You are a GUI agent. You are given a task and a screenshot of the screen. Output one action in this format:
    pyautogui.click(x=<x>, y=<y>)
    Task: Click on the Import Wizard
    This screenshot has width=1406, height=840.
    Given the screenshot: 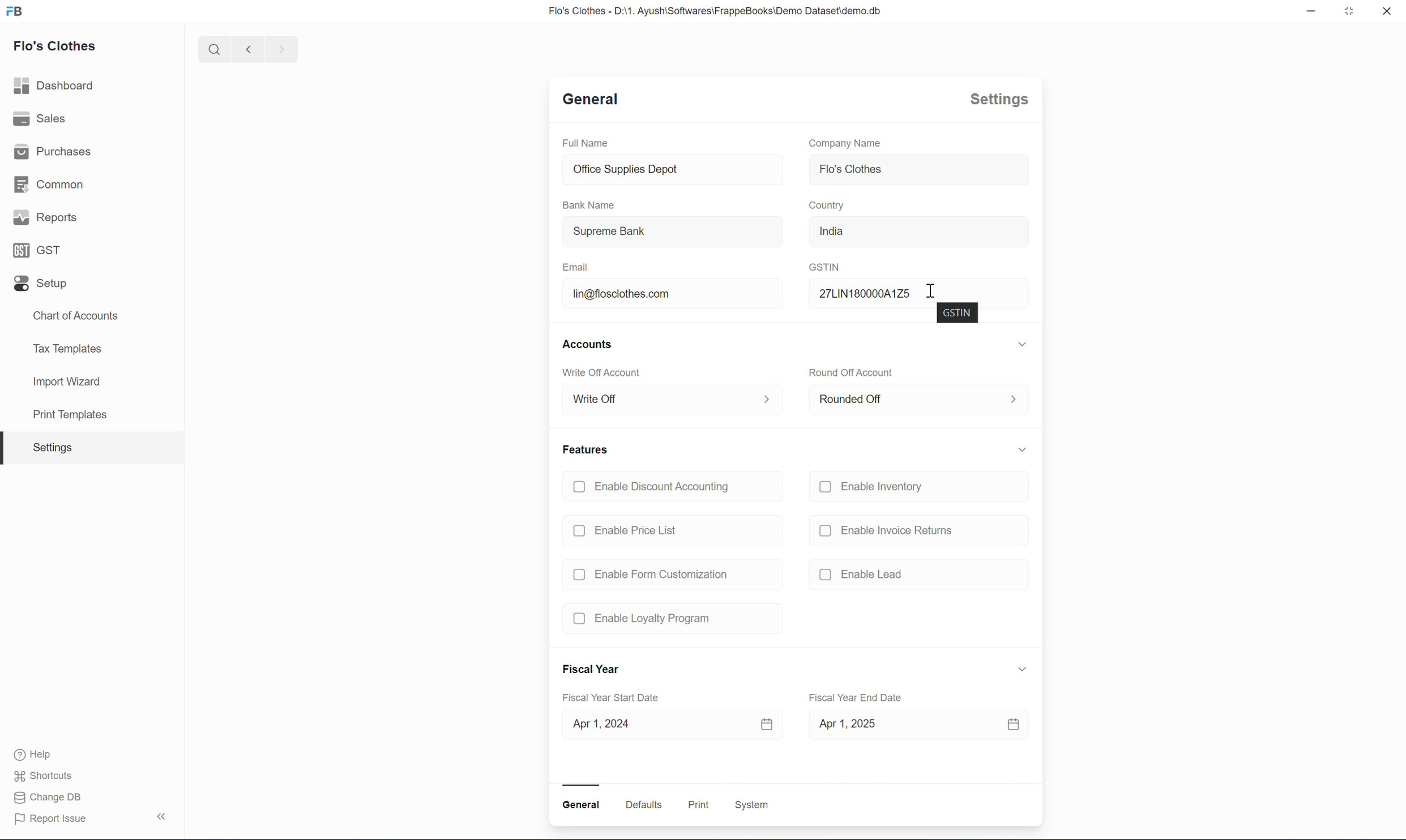 What is the action you would take?
    pyautogui.click(x=63, y=383)
    